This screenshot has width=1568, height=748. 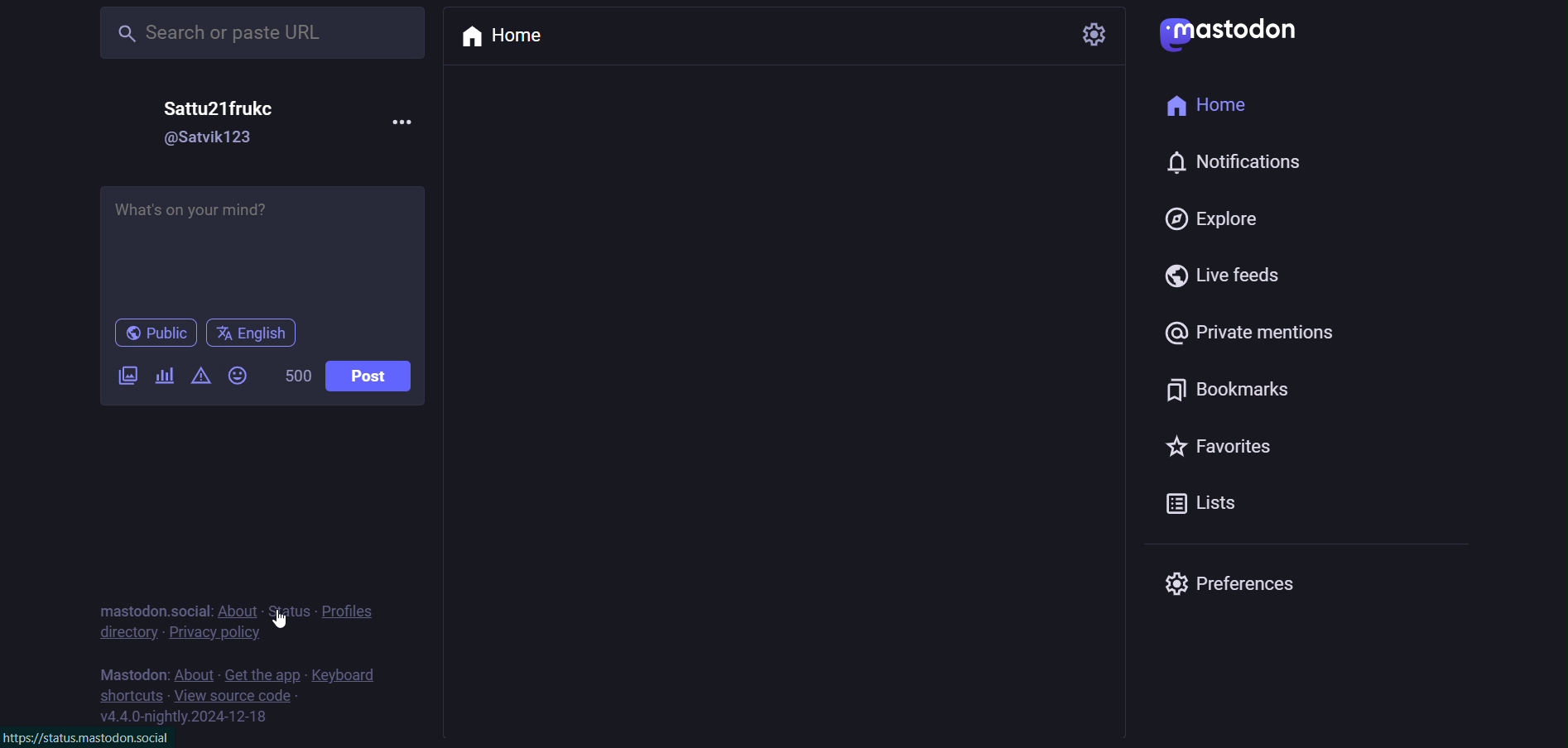 What do you see at coordinates (1227, 388) in the screenshot?
I see `bookmark` at bounding box center [1227, 388].